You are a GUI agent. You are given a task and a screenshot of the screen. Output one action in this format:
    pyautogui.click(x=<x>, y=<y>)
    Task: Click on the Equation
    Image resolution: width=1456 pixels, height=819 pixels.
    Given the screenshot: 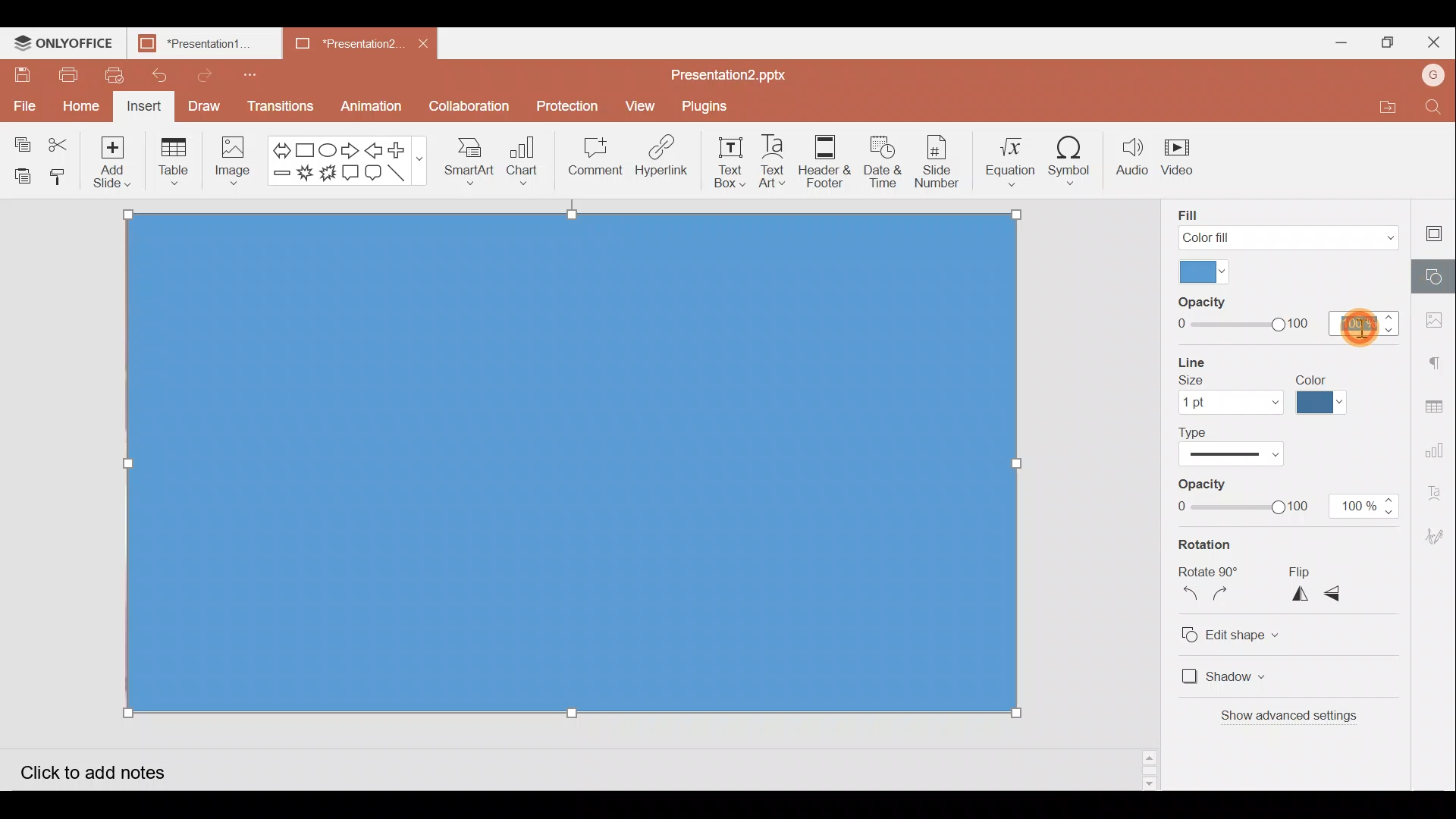 What is the action you would take?
    pyautogui.click(x=1010, y=158)
    